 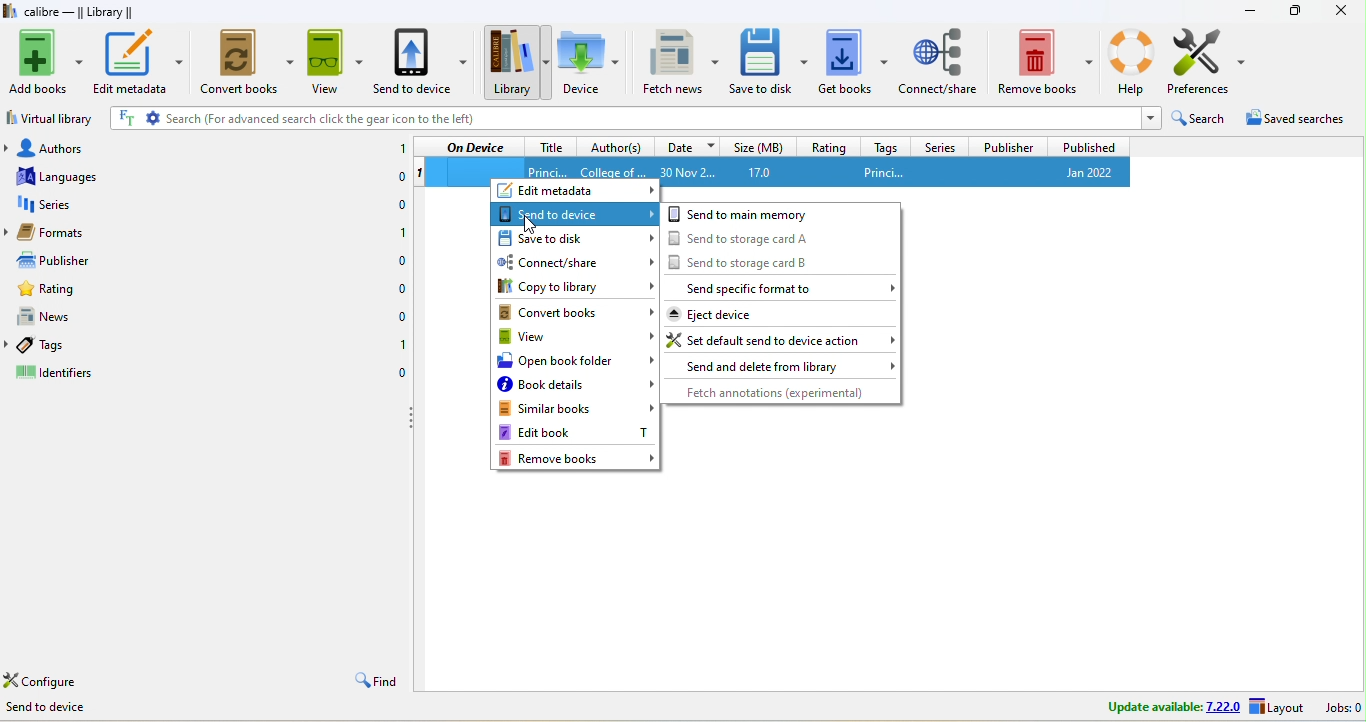 What do you see at coordinates (550, 145) in the screenshot?
I see `title` at bounding box center [550, 145].